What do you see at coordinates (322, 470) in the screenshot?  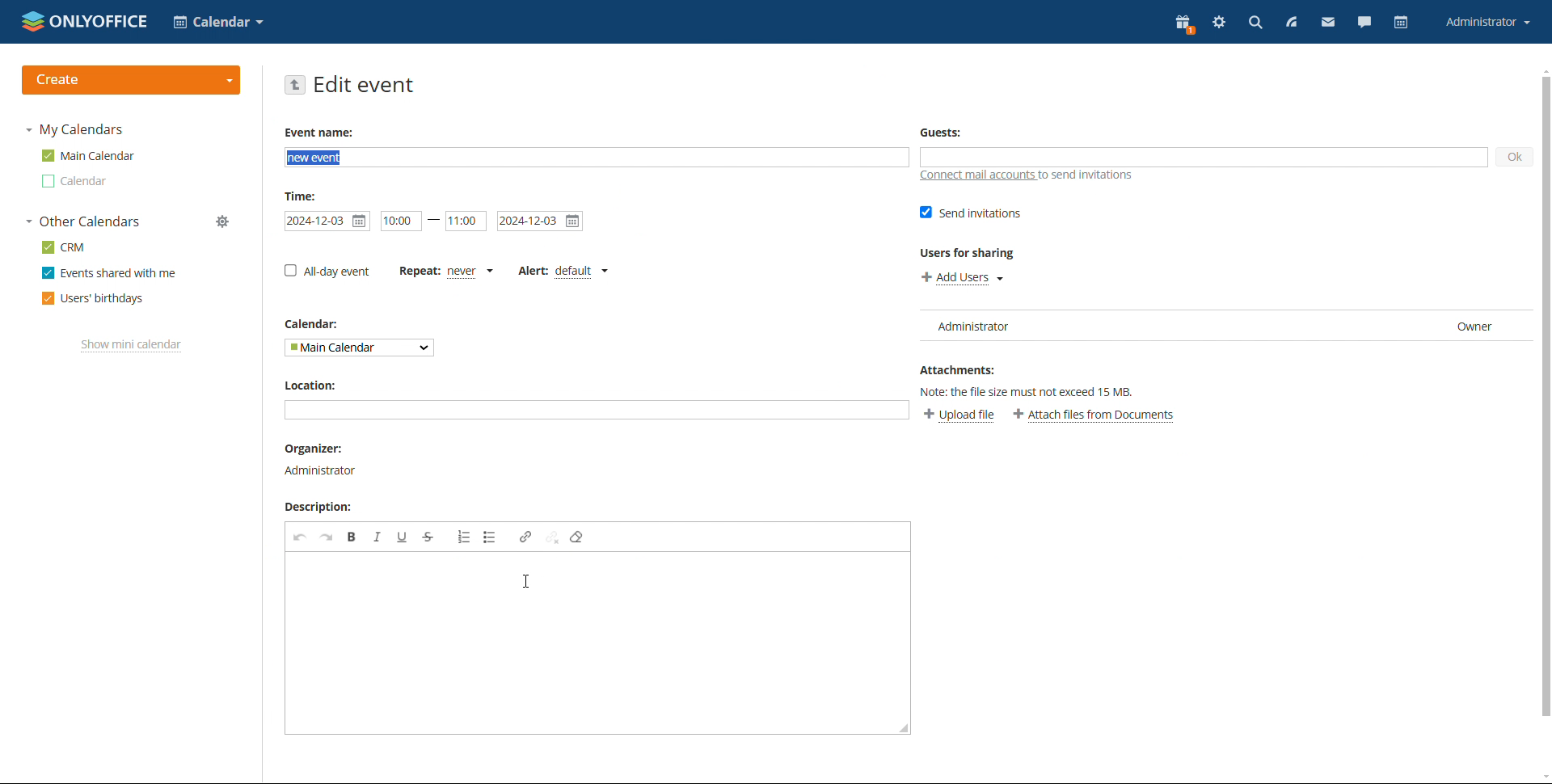 I see `Administrator` at bounding box center [322, 470].